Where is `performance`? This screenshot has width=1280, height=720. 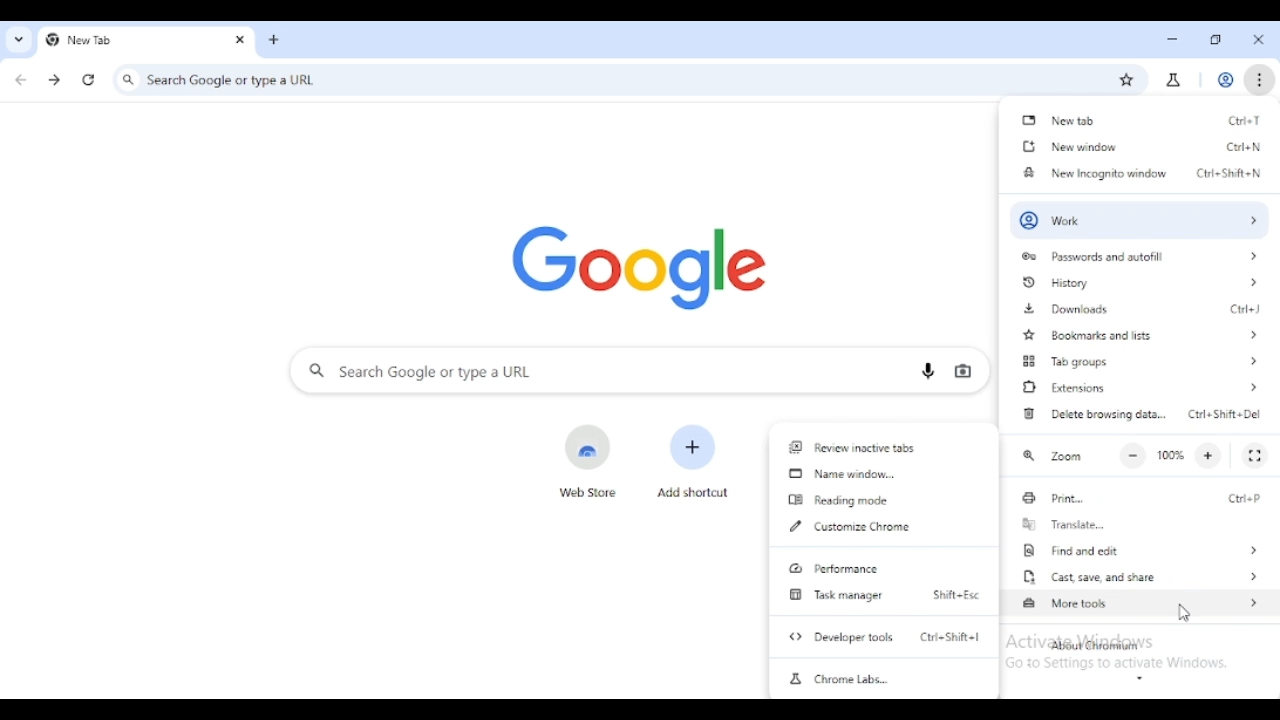 performance is located at coordinates (832, 568).